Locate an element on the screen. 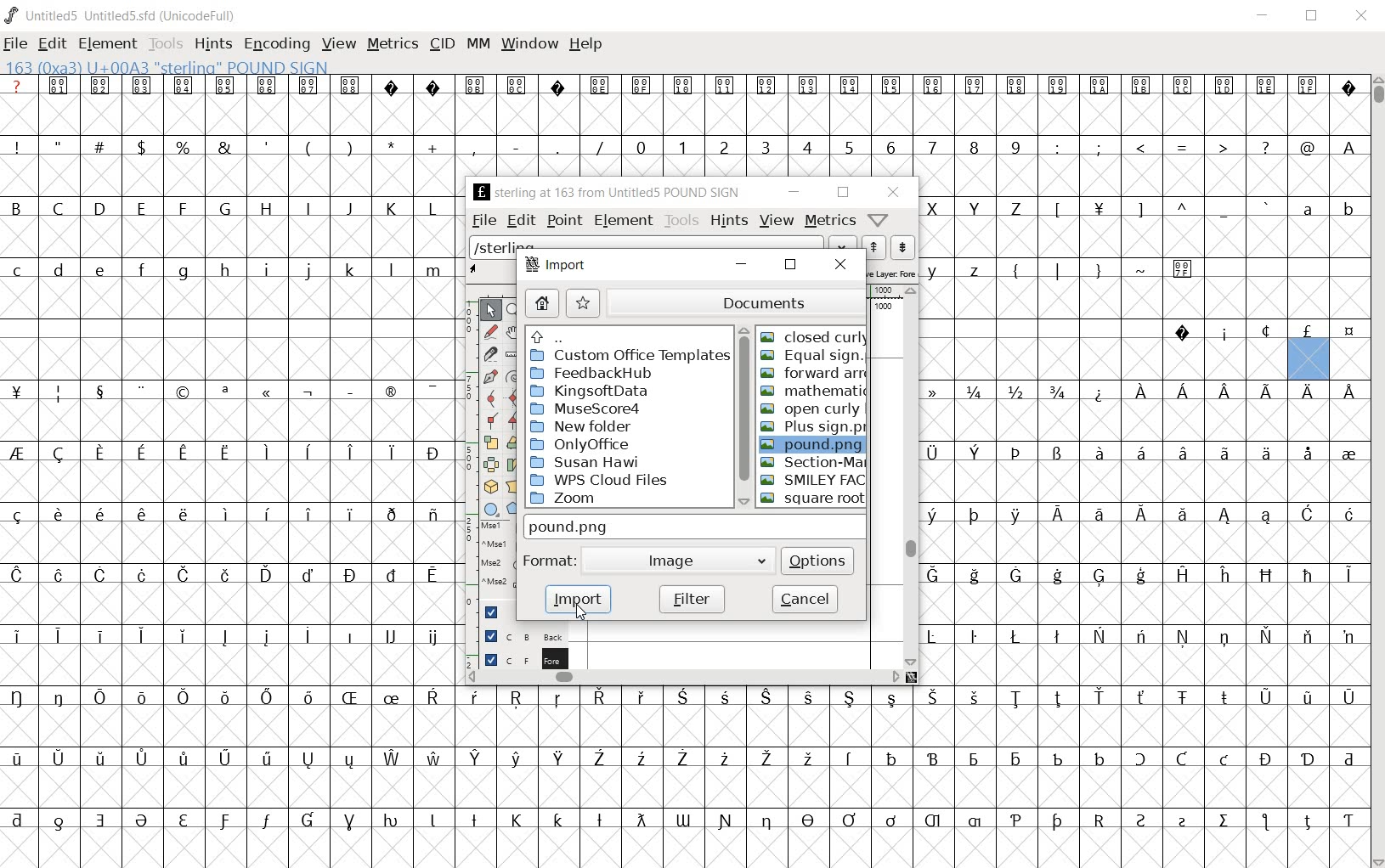 This screenshot has height=868, width=1385. Z is located at coordinates (1016, 210).